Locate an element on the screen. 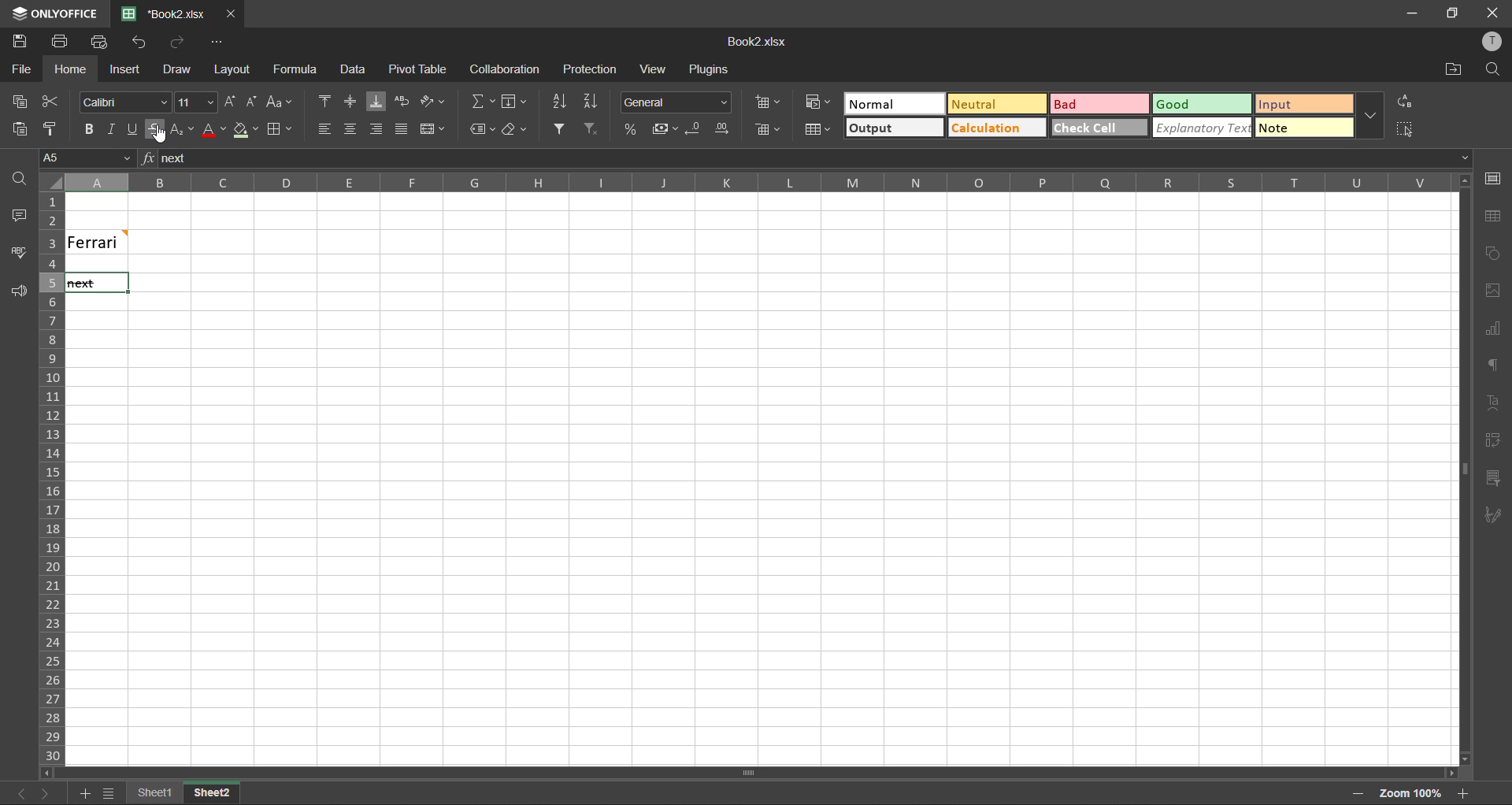 This screenshot has height=805, width=1512. Horizontal Scroll bar is located at coordinates (1463, 469).